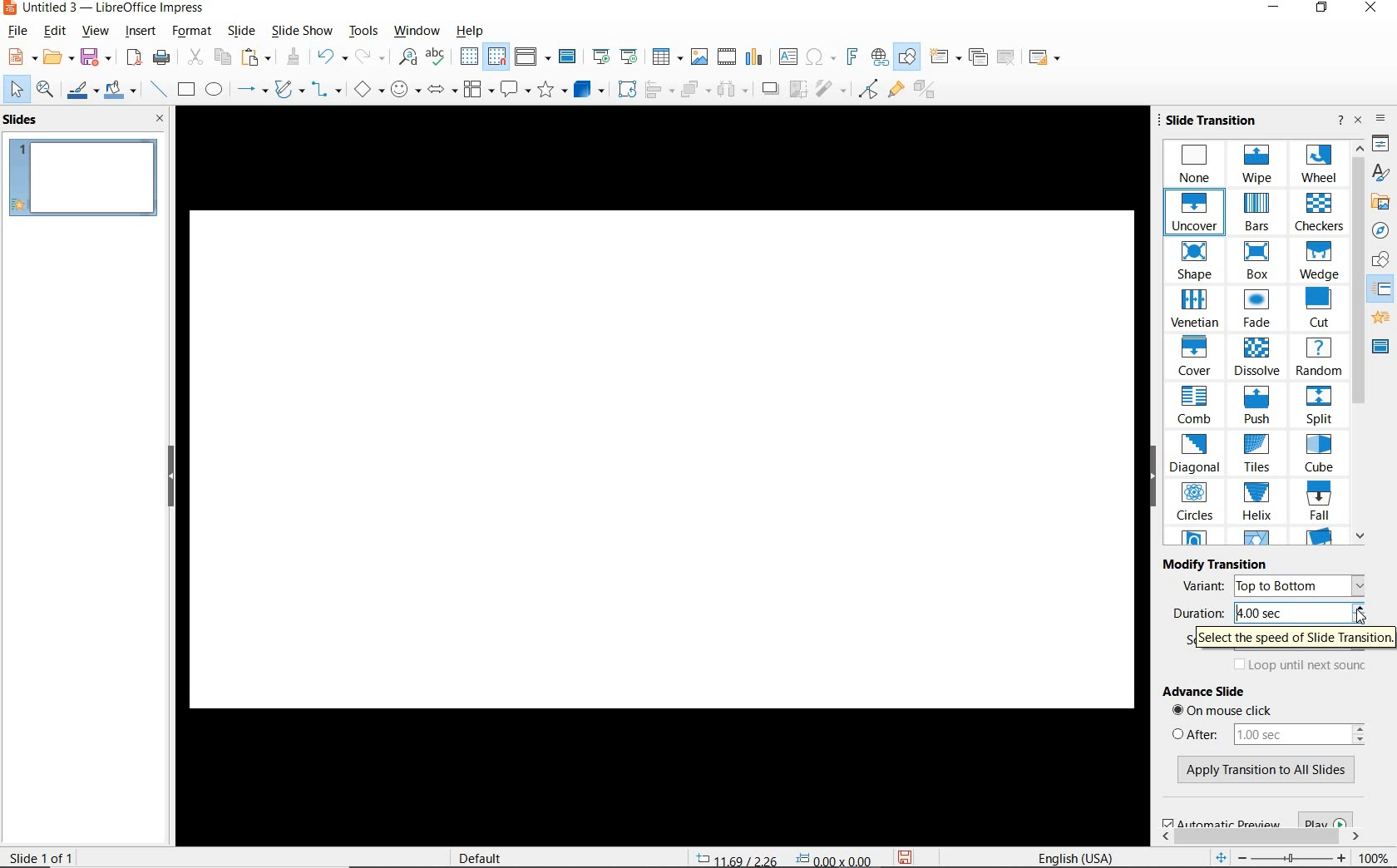 Image resolution: width=1397 pixels, height=868 pixels. What do you see at coordinates (1213, 121) in the screenshot?
I see `SLIDE TRANSITION` at bounding box center [1213, 121].